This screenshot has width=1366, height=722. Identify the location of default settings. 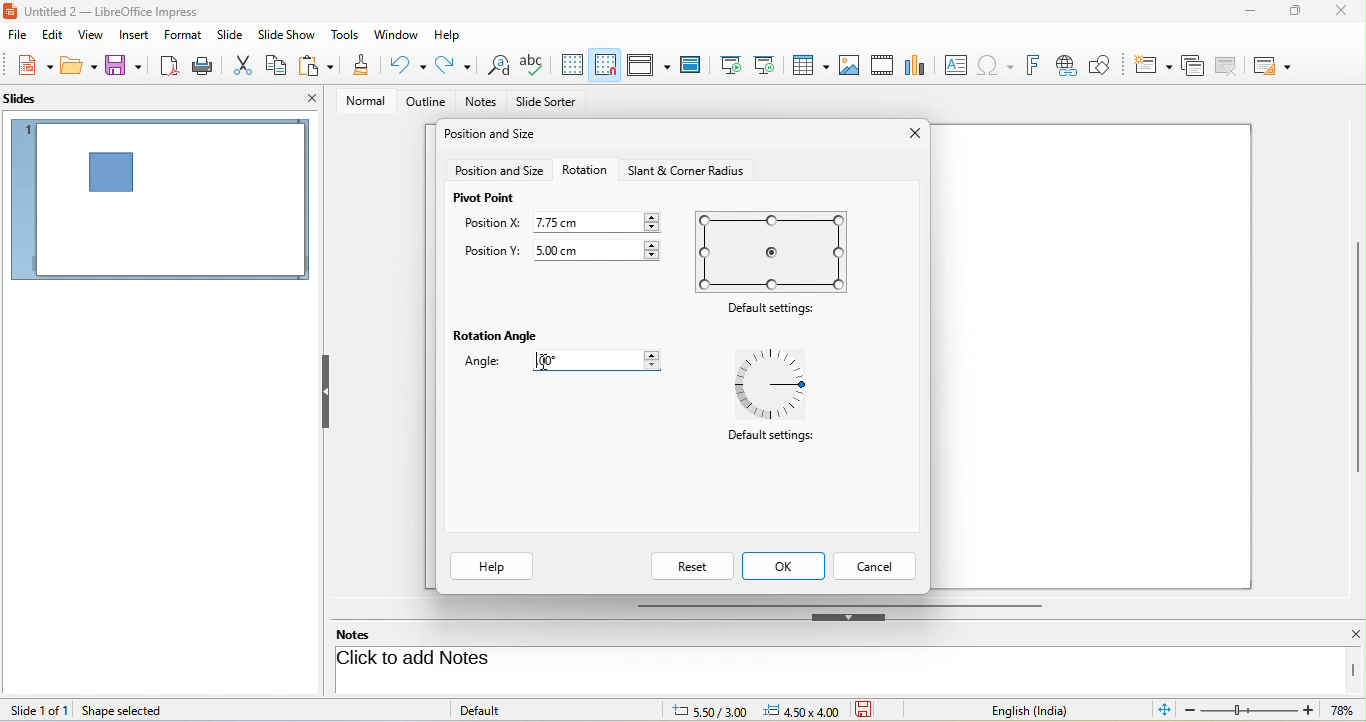
(769, 440).